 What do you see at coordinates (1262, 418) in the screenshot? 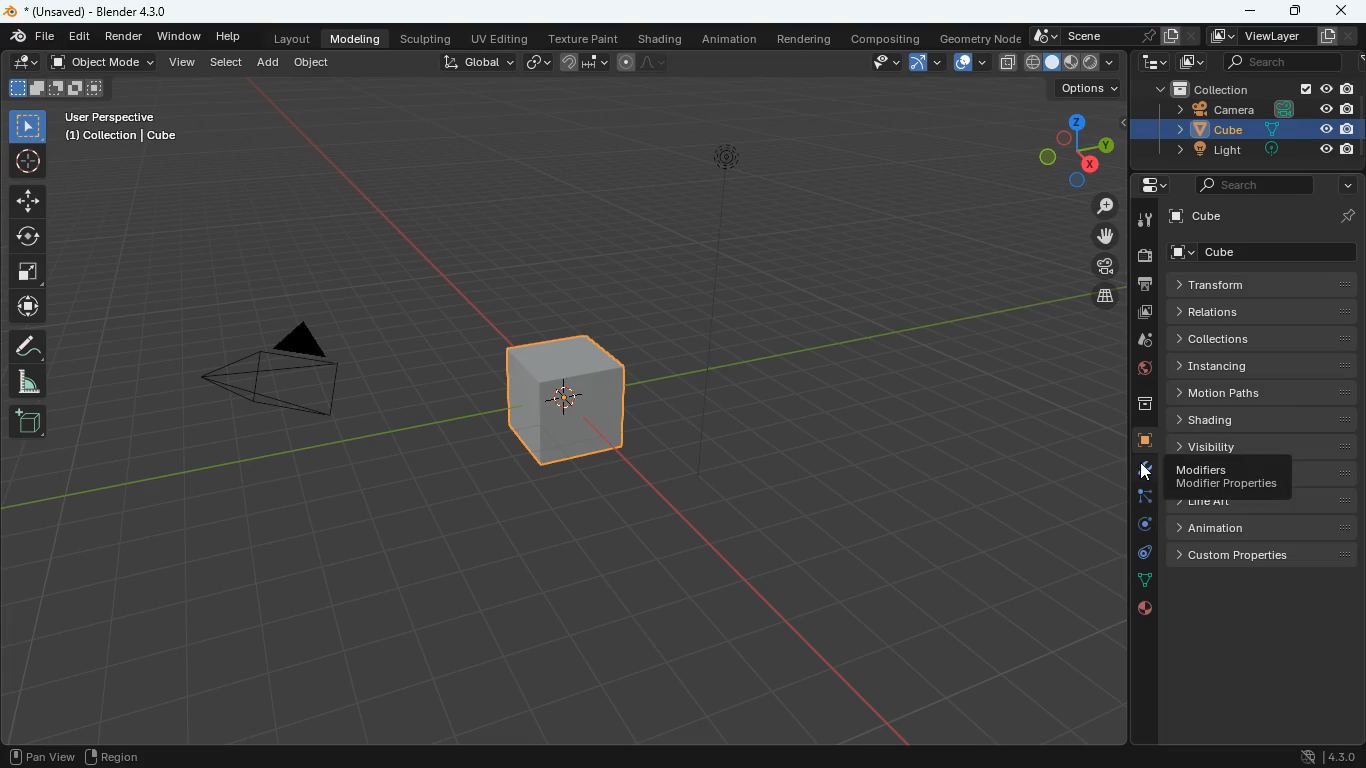
I see `shading` at bounding box center [1262, 418].